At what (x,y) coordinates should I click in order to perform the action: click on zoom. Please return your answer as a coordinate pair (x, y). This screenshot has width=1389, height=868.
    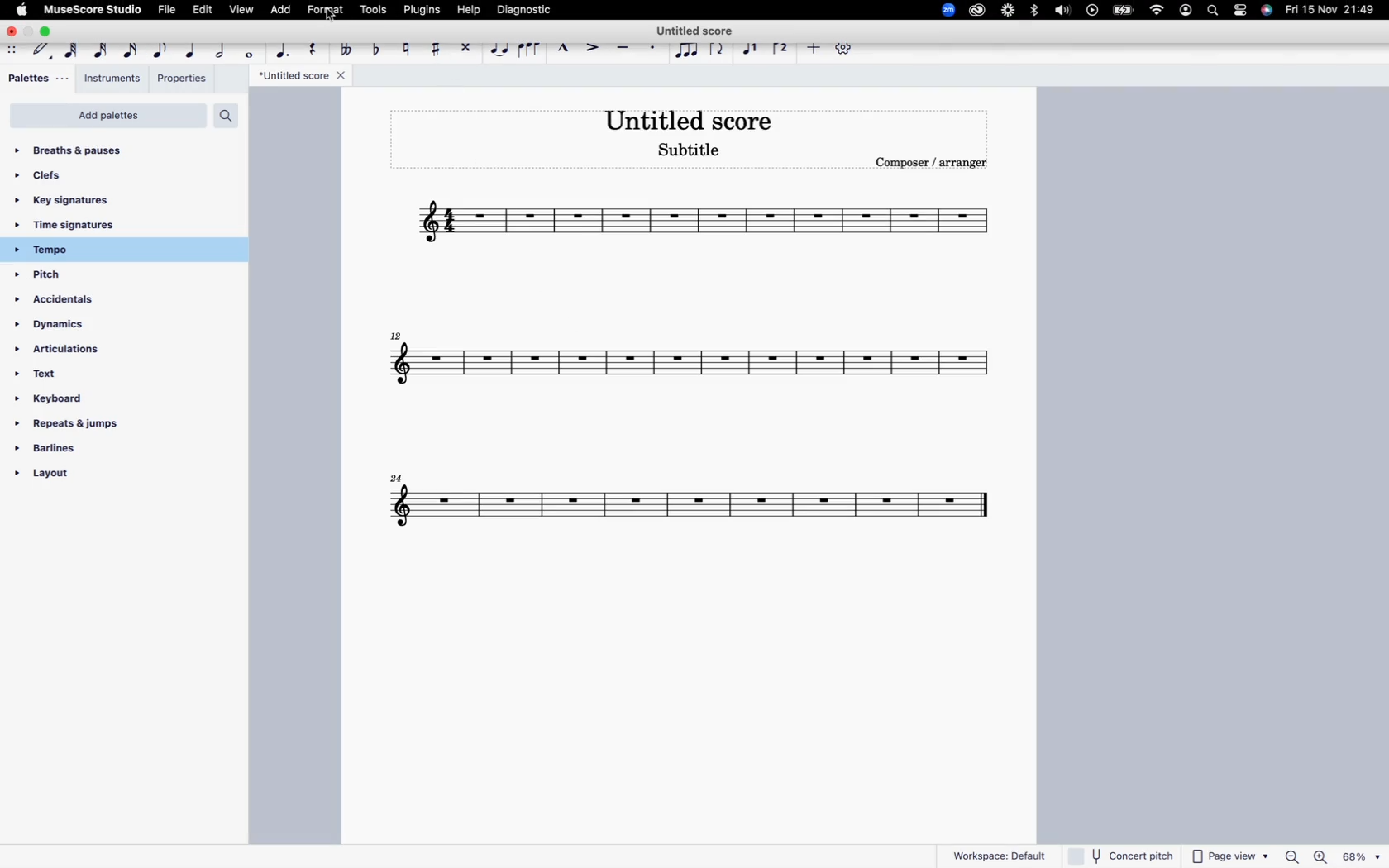
    Looking at the image, I should click on (1331, 857).